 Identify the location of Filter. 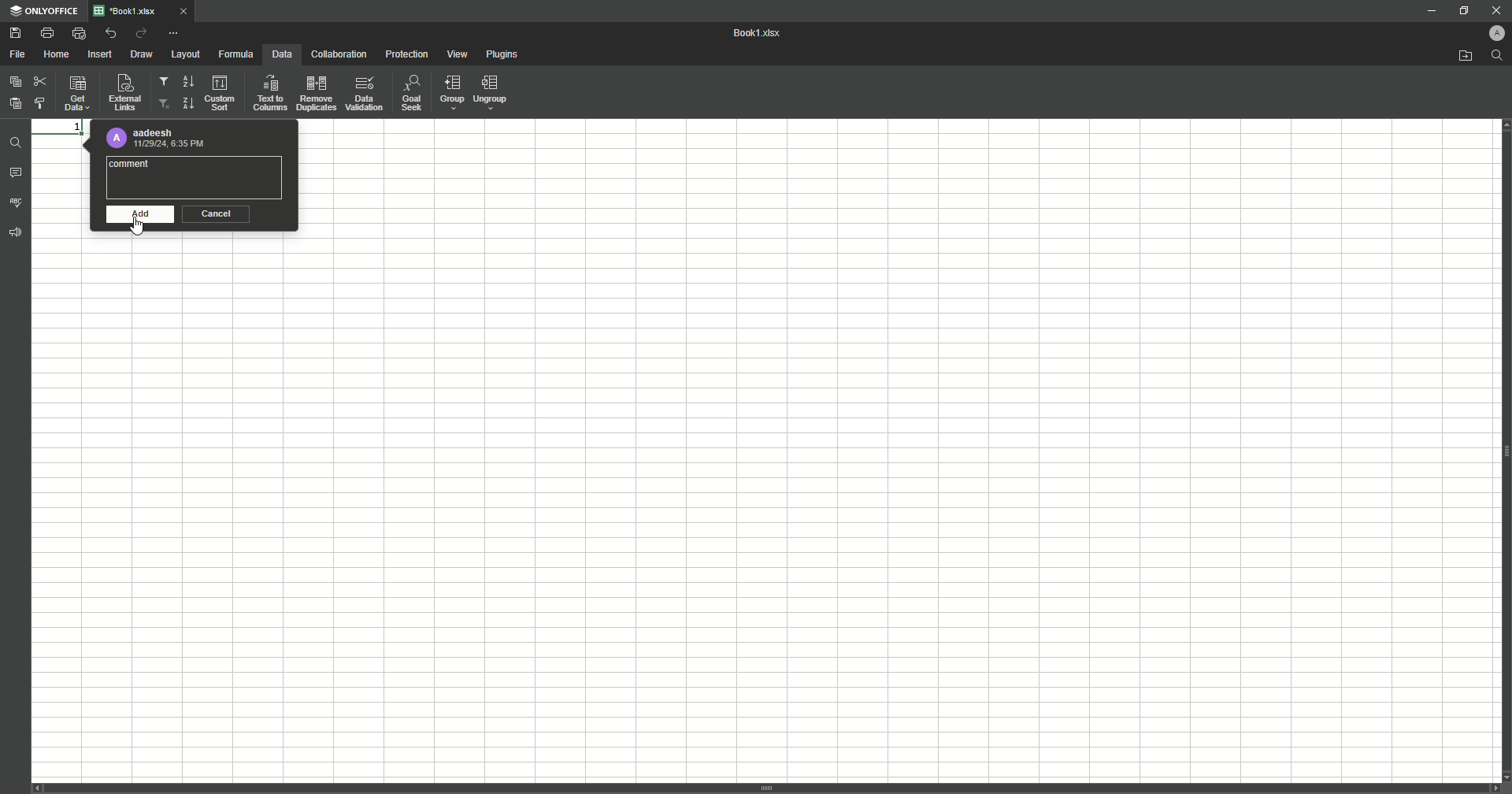
(165, 83).